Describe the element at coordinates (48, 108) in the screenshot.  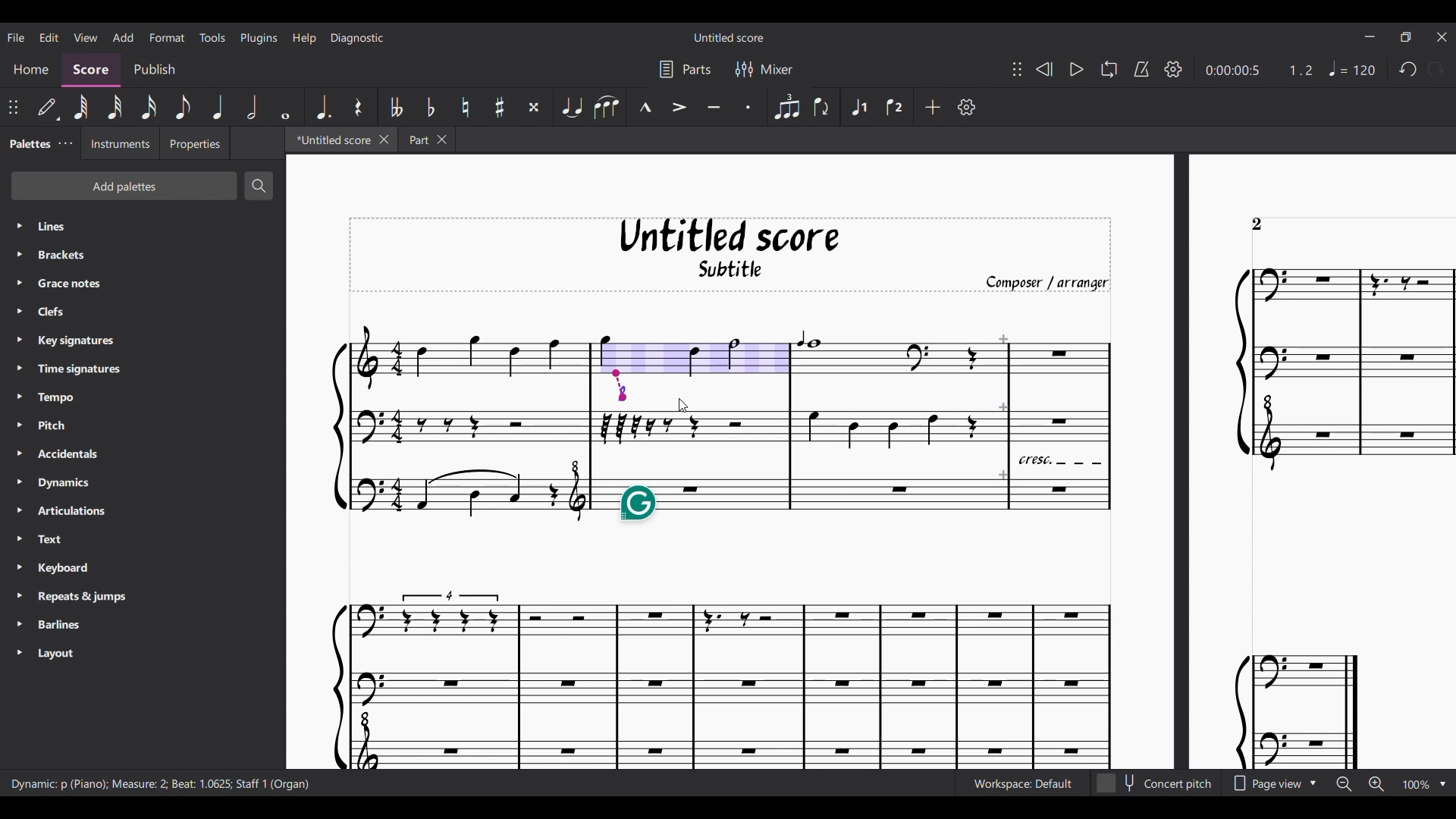
I see `Default` at that location.